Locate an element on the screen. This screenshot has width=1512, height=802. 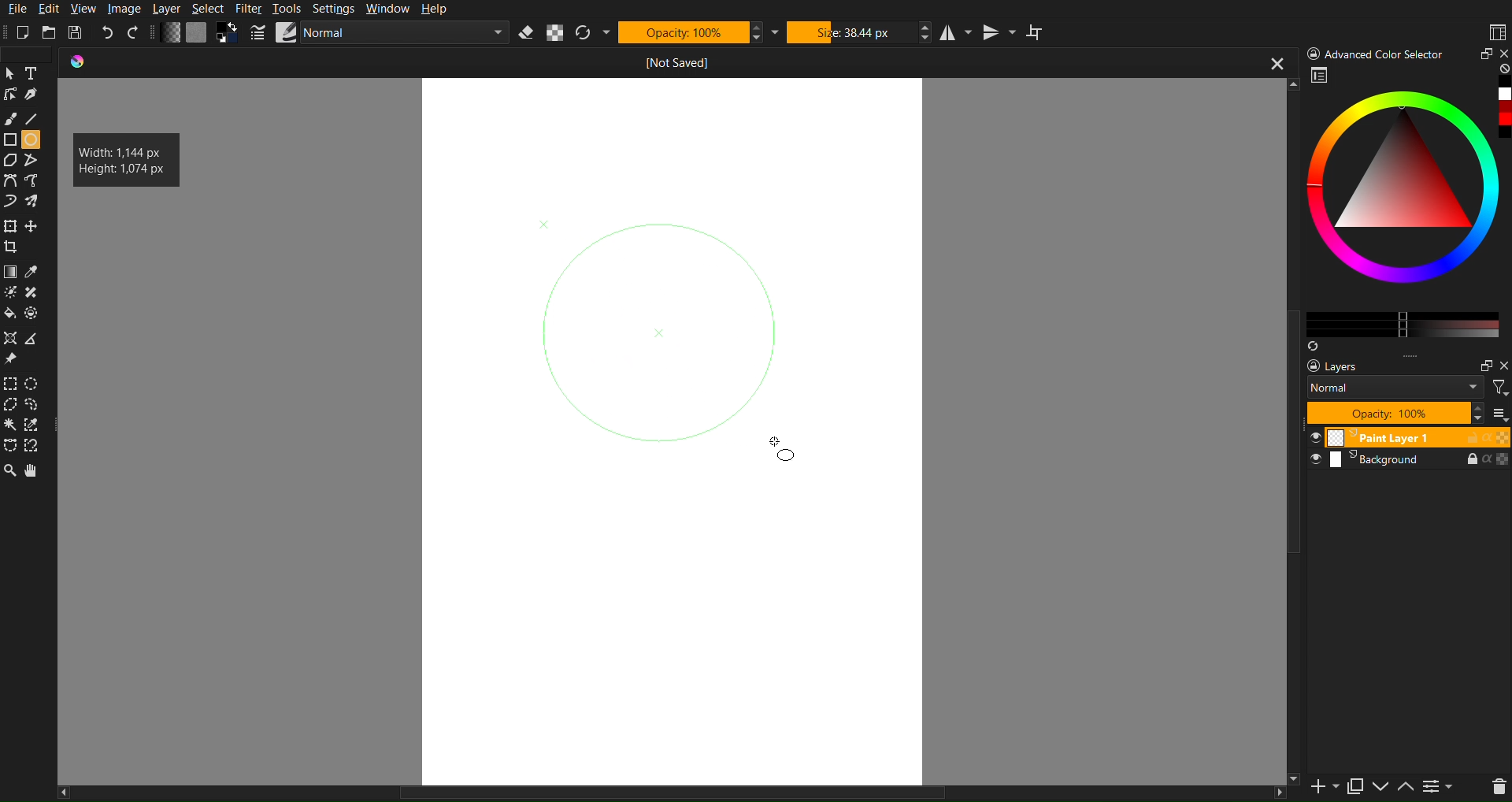
Curve Tools is located at coordinates (10, 181).